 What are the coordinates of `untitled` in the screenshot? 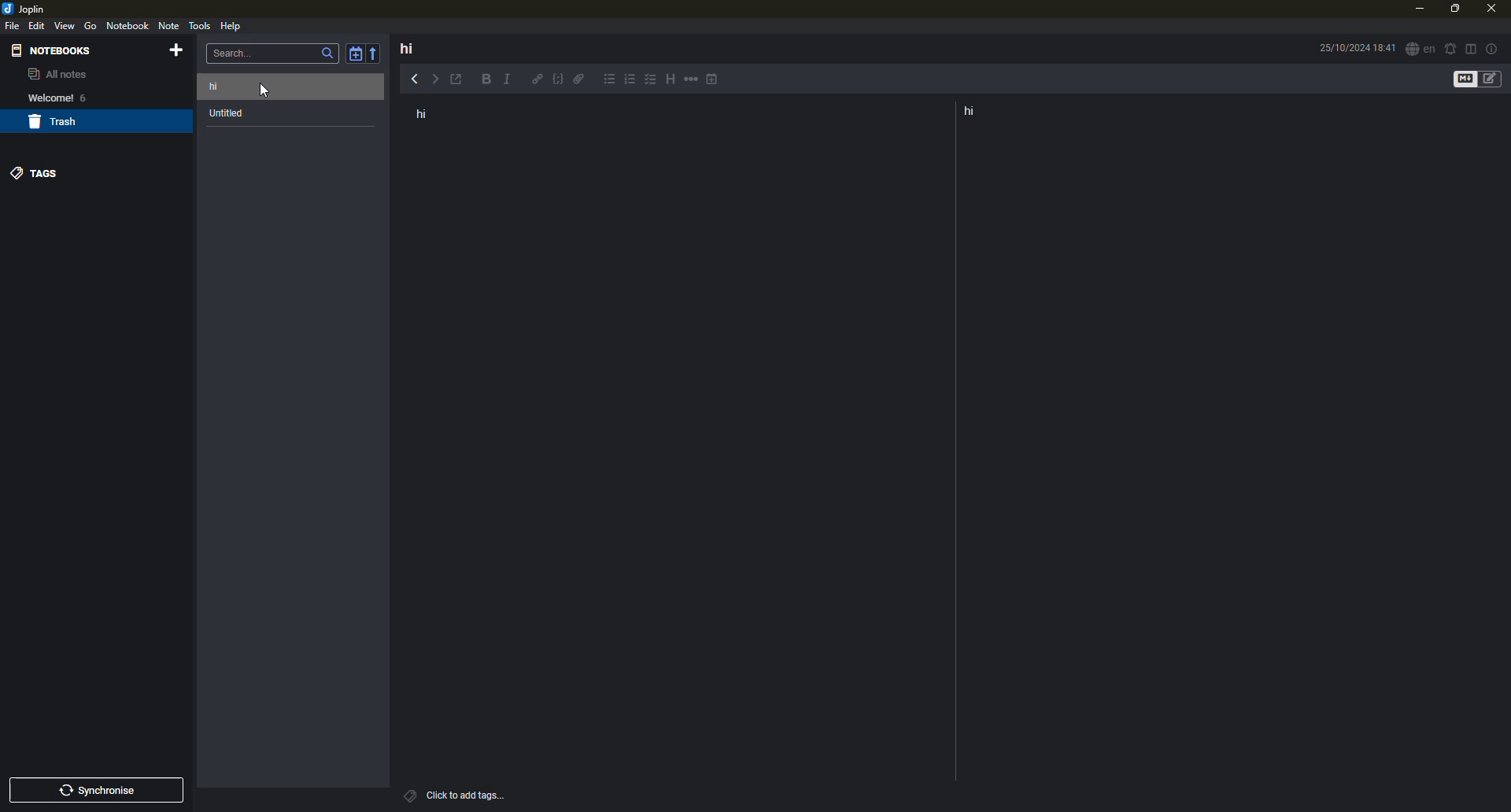 It's located at (229, 114).